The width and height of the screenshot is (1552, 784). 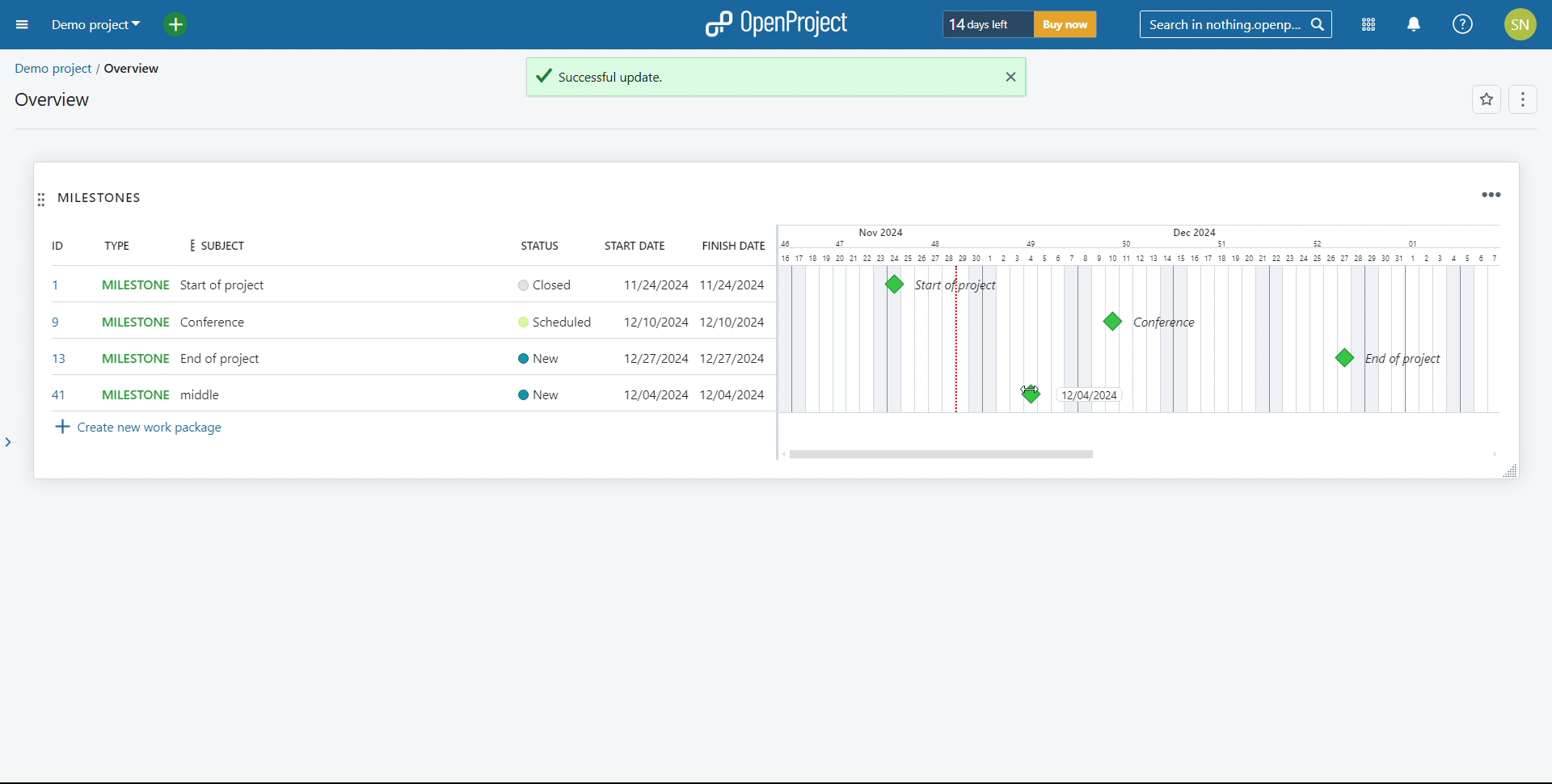 What do you see at coordinates (1522, 24) in the screenshot?
I see `account` at bounding box center [1522, 24].